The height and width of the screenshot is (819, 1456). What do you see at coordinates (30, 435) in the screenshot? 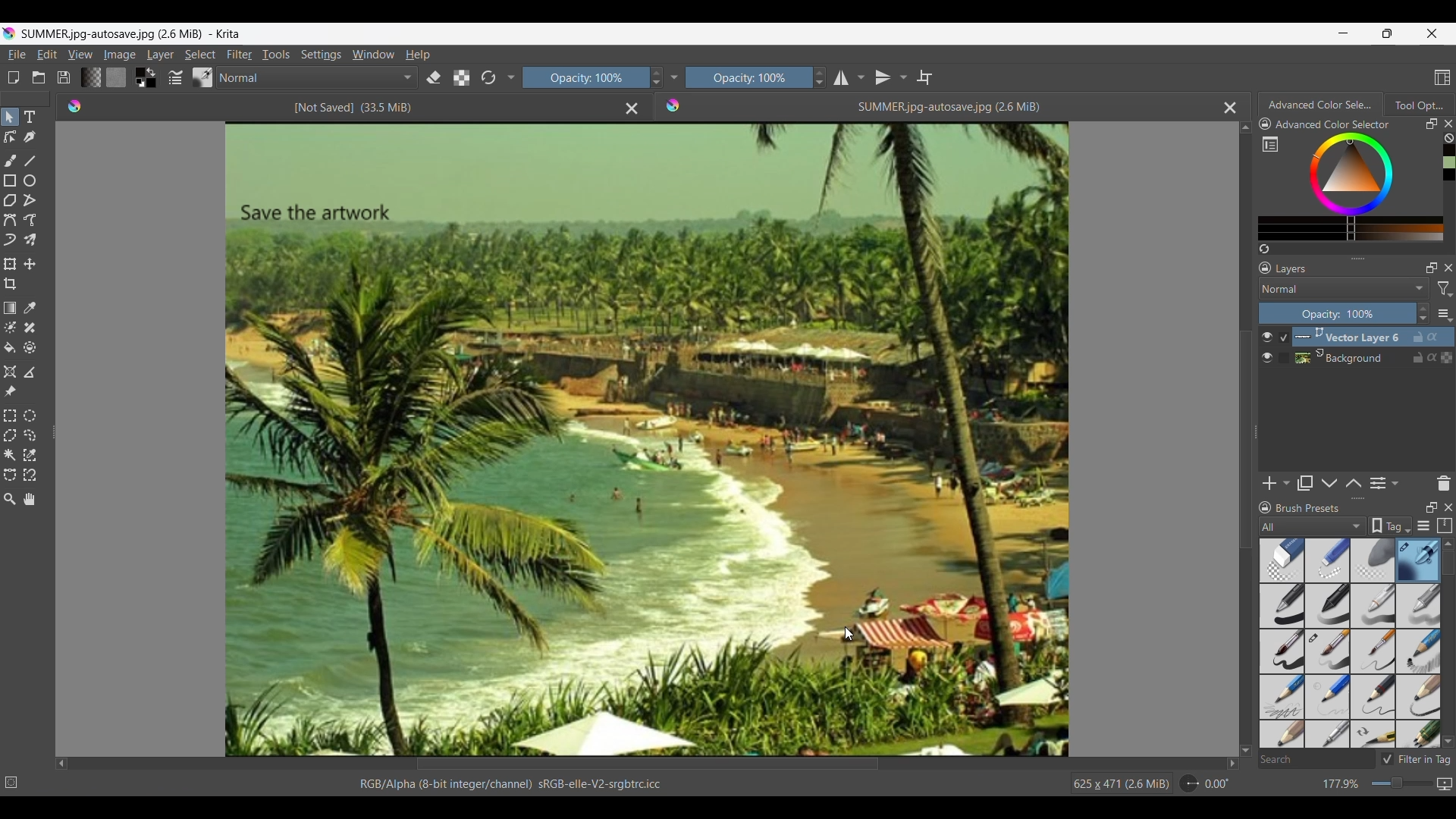
I see `Freehand selection tool` at bounding box center [30, 435].